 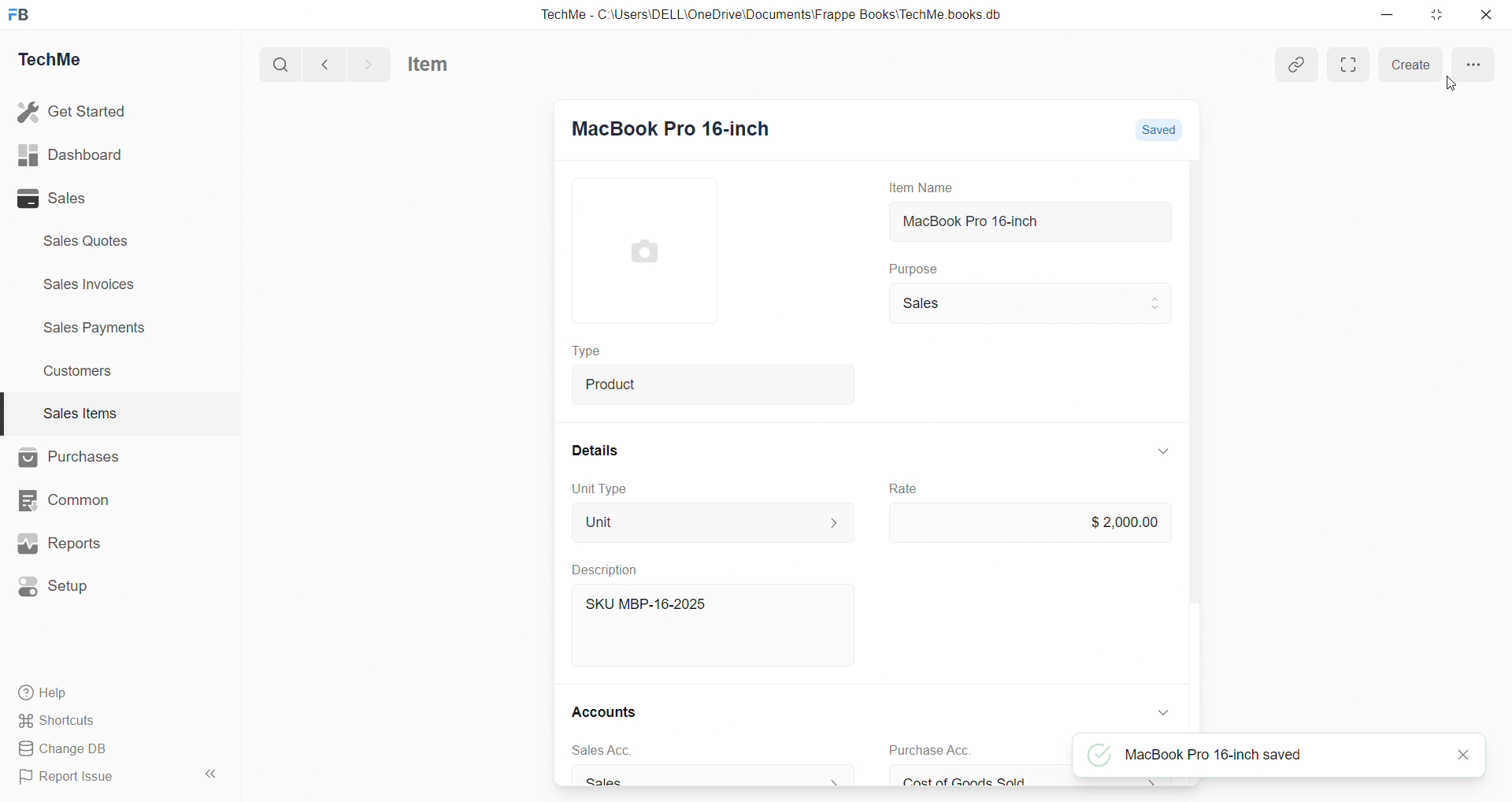 I want to click on Shortcuts, so click(x=60, y=721).